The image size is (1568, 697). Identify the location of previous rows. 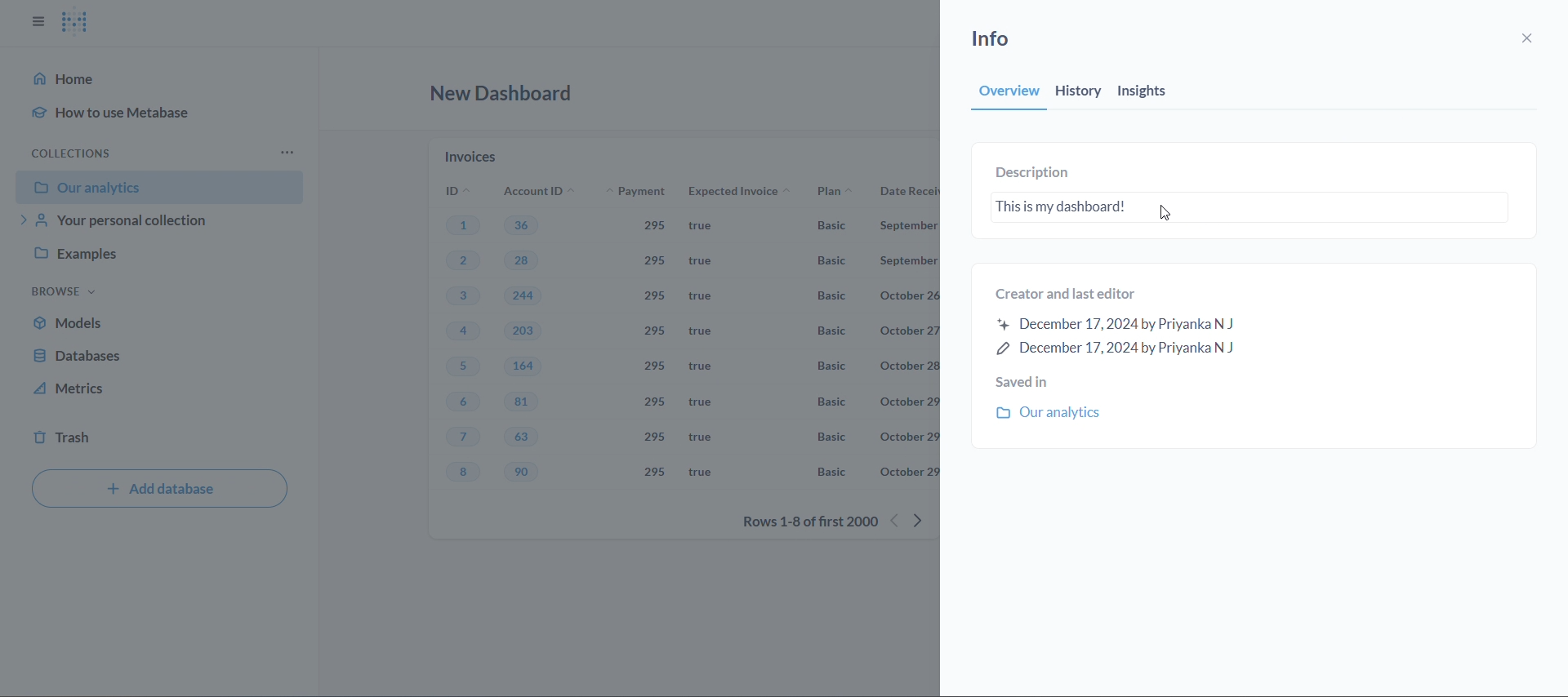
(896, 520).